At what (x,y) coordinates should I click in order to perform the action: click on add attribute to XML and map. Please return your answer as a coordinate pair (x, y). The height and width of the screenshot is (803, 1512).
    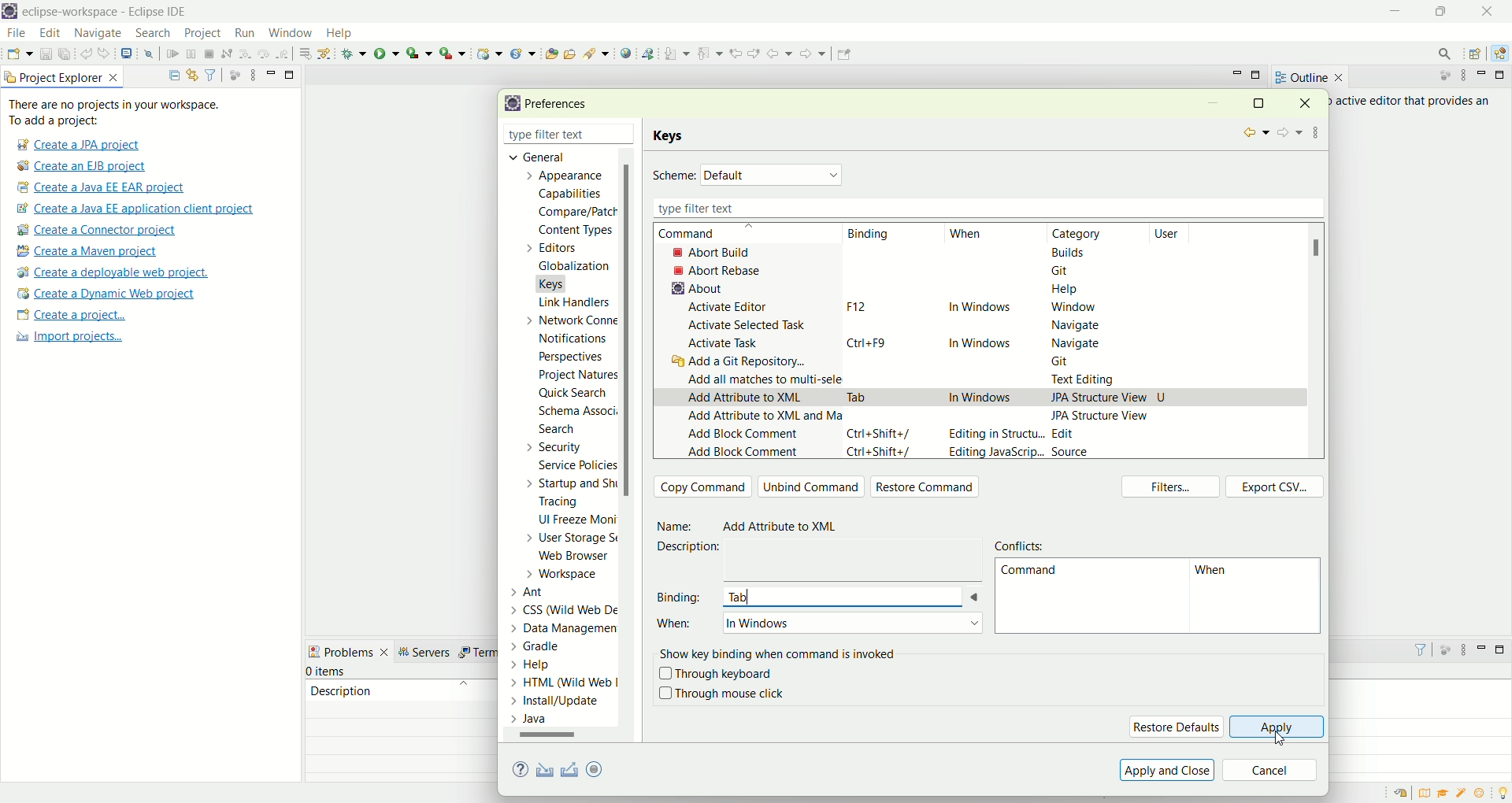
    Looking at the image, I should click on (762, 420).